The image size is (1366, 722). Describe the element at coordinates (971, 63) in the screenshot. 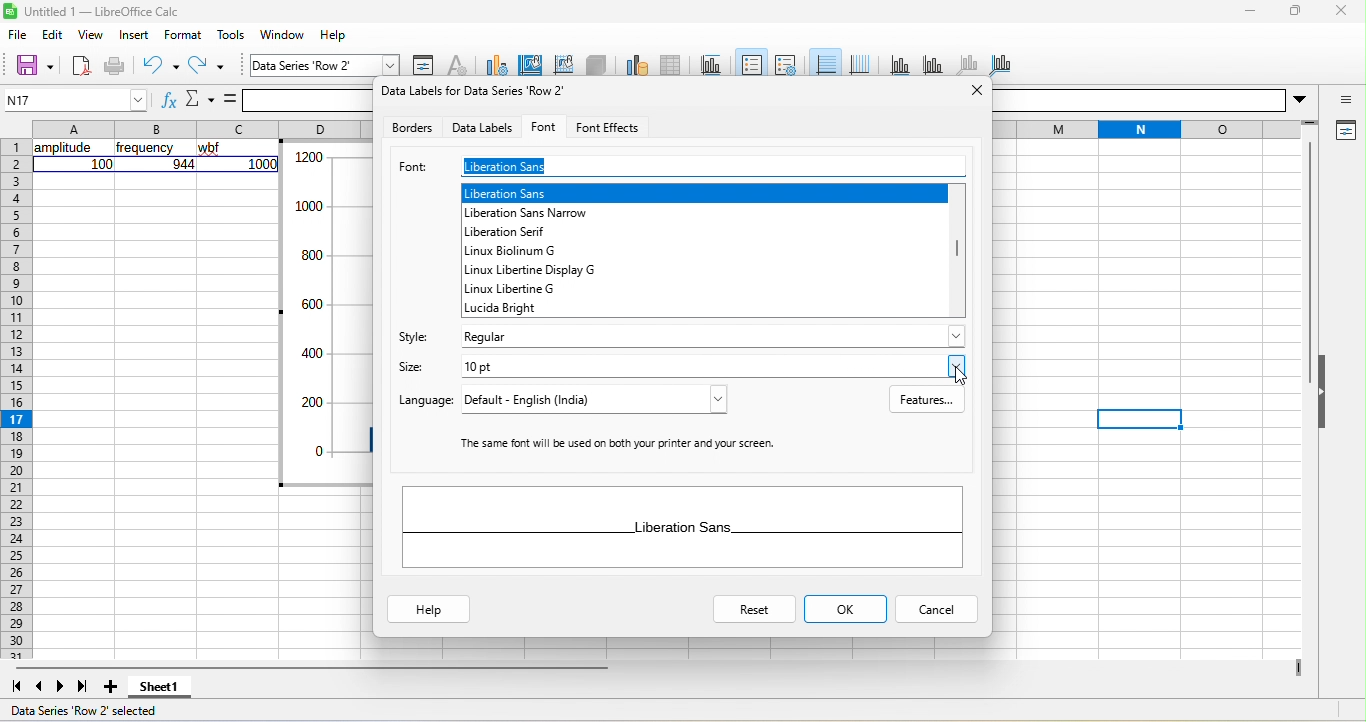

I see `z axis` at that location.